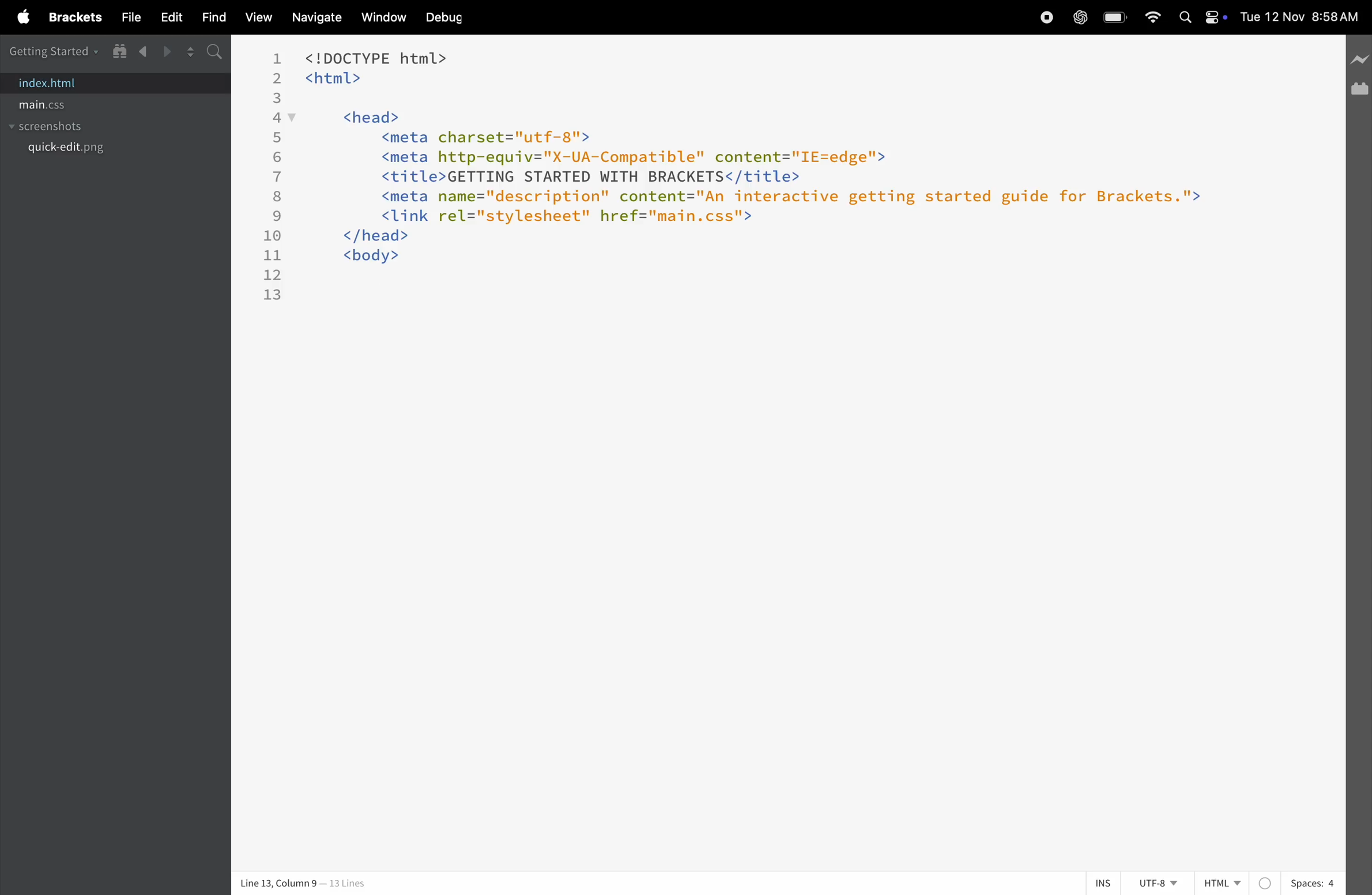 The height and width of the screenshot is (895, 1372). Describe the element at coordinates (144, 52) in the screenshot. I see `backward` at that location.